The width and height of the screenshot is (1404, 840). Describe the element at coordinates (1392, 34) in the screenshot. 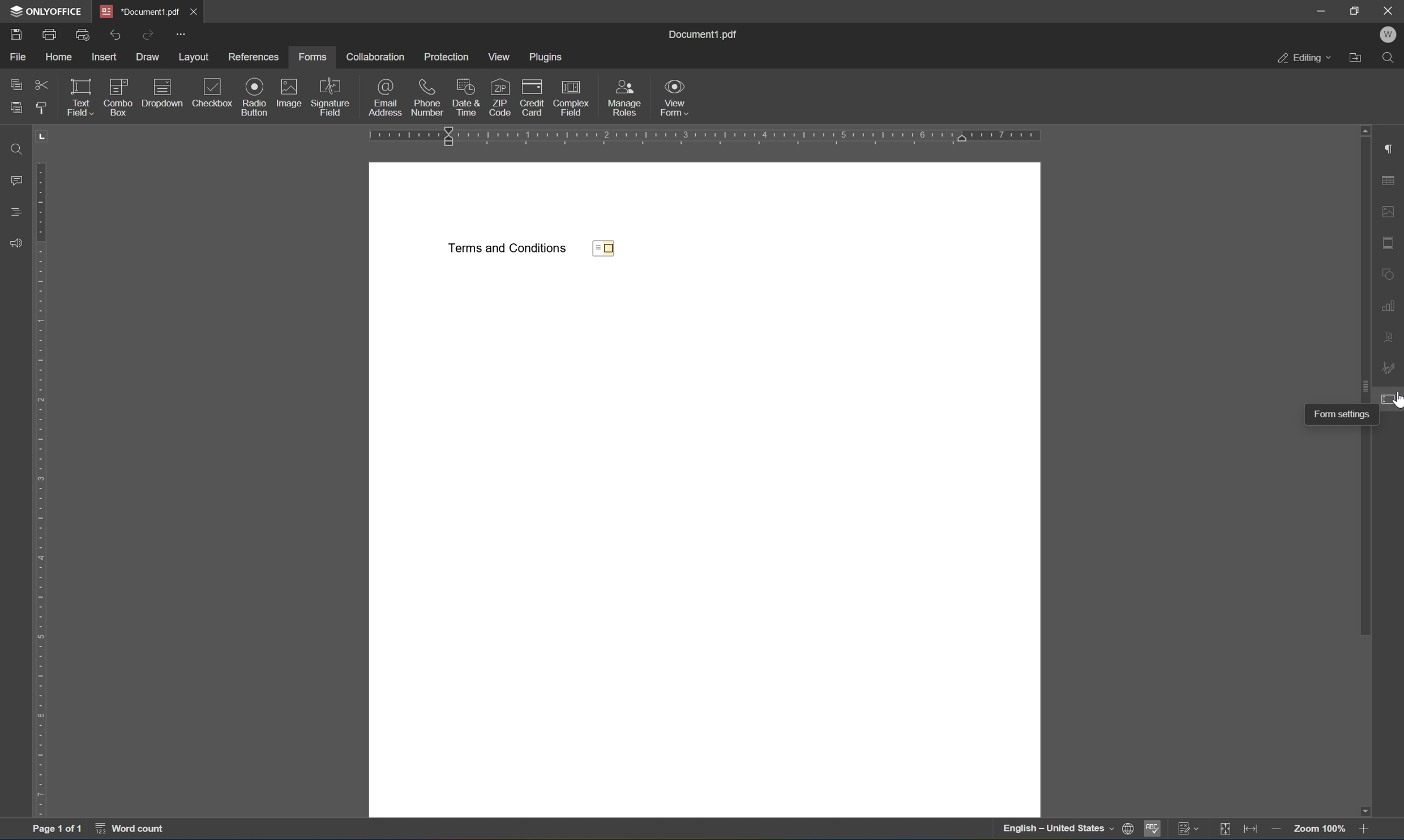

I see `W` at that location.